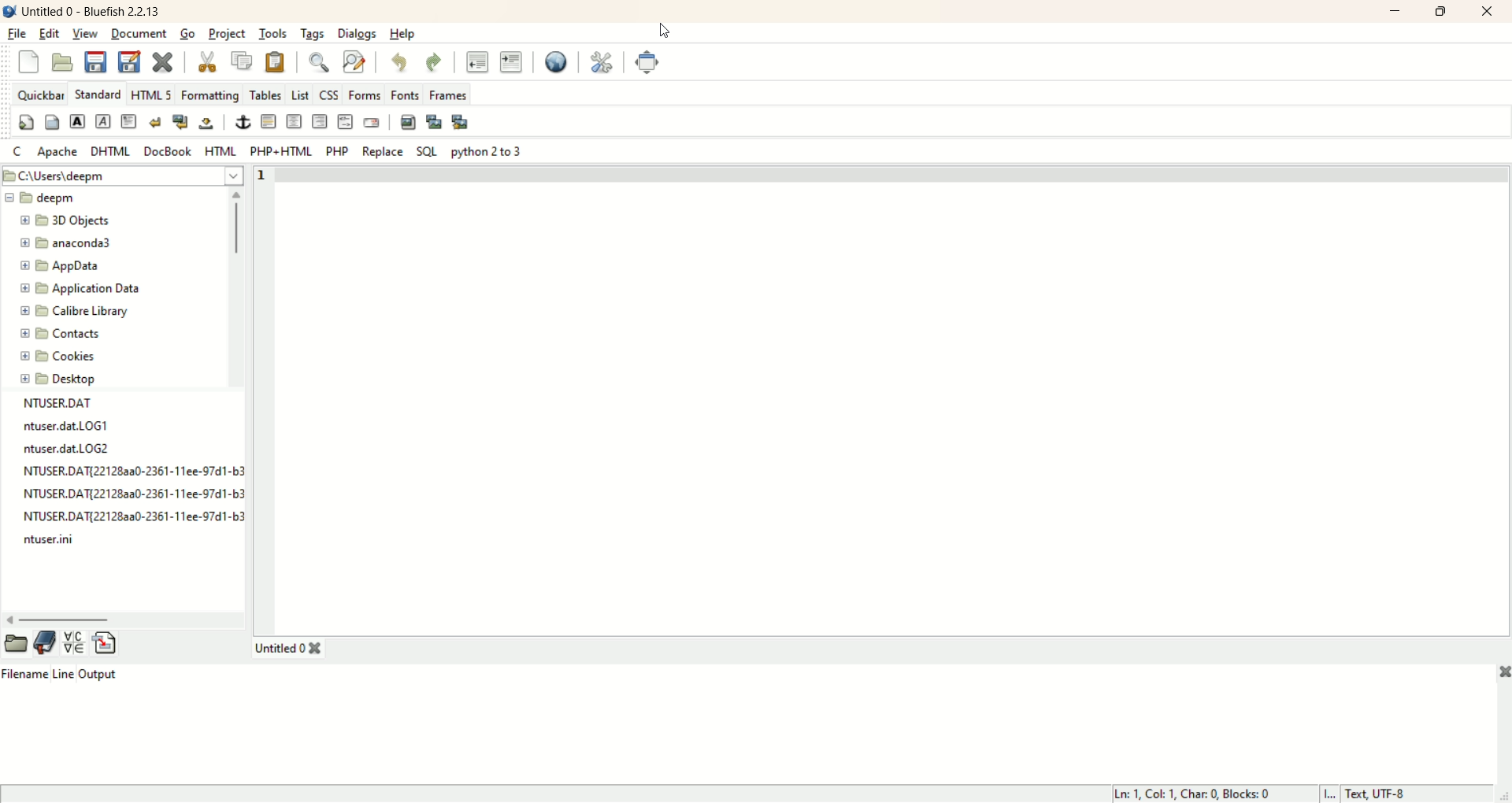 This screenshot has width=1512, height=803. What do you see at coordinates (487, 150) in the screenshot?
I see `python 2 to 3` at bounding box center [487, 150].